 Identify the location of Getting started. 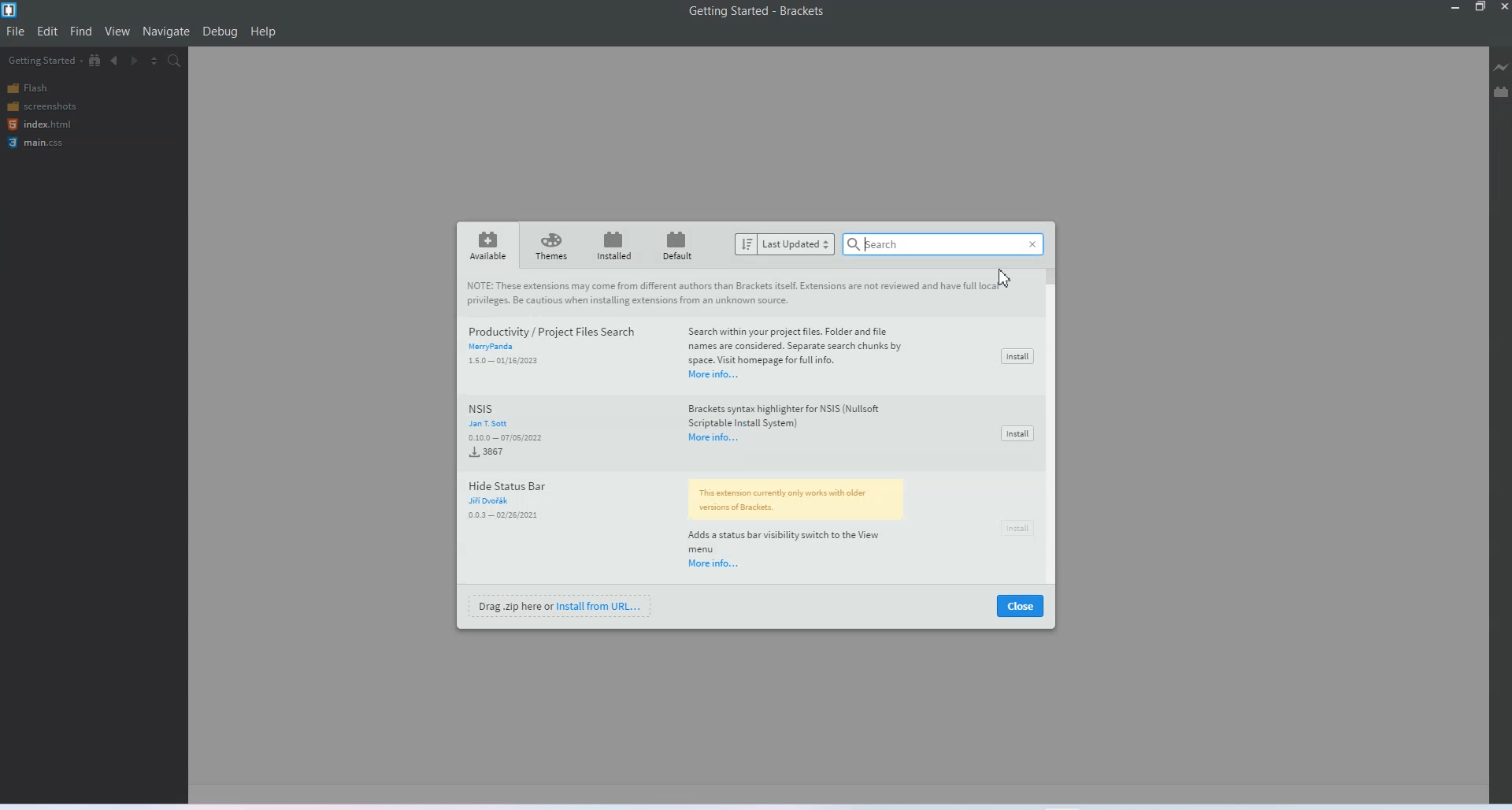
(719, 10).